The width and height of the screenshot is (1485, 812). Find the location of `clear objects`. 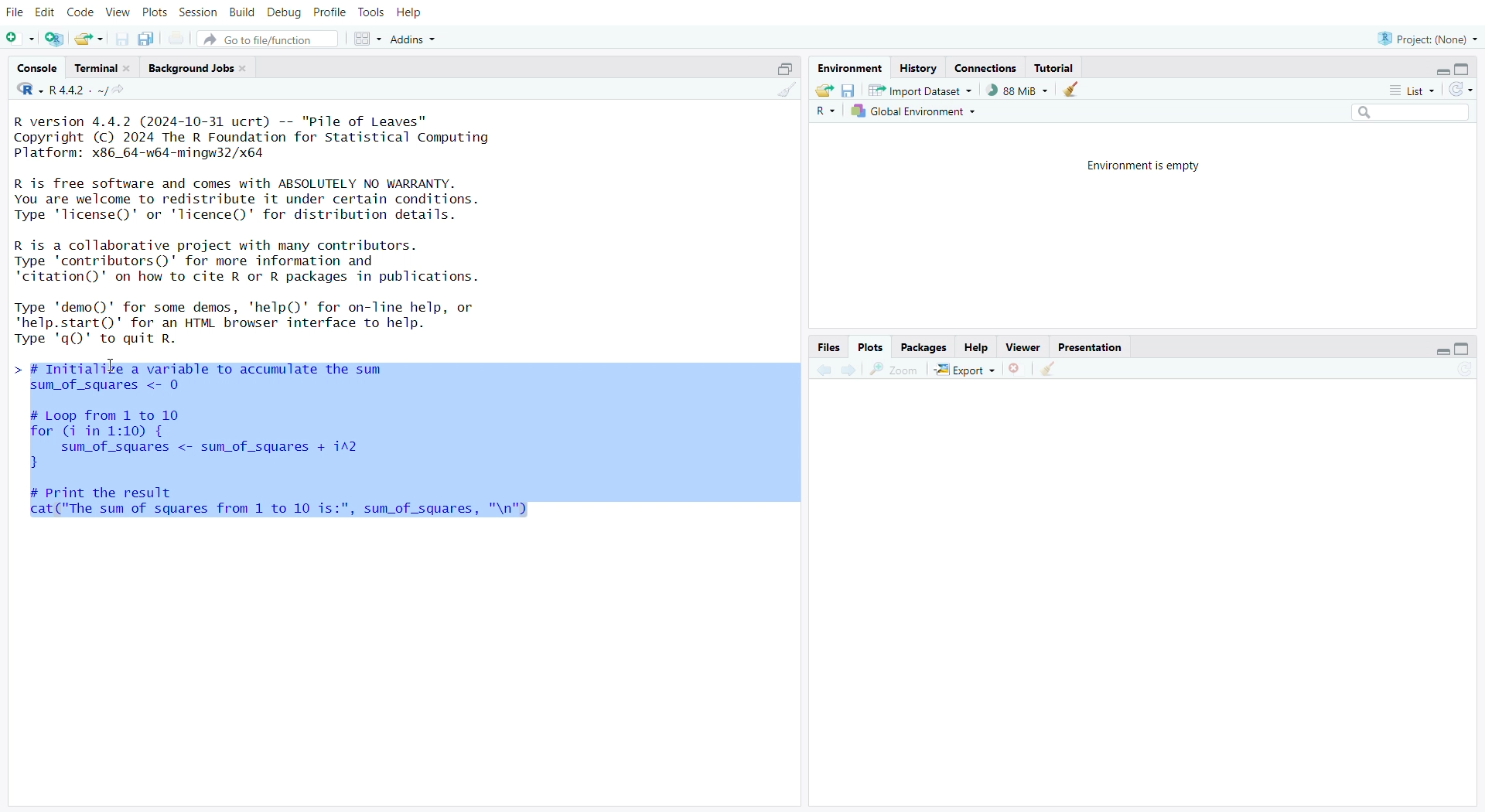

clear objects is located at coordinates (1074, 91).